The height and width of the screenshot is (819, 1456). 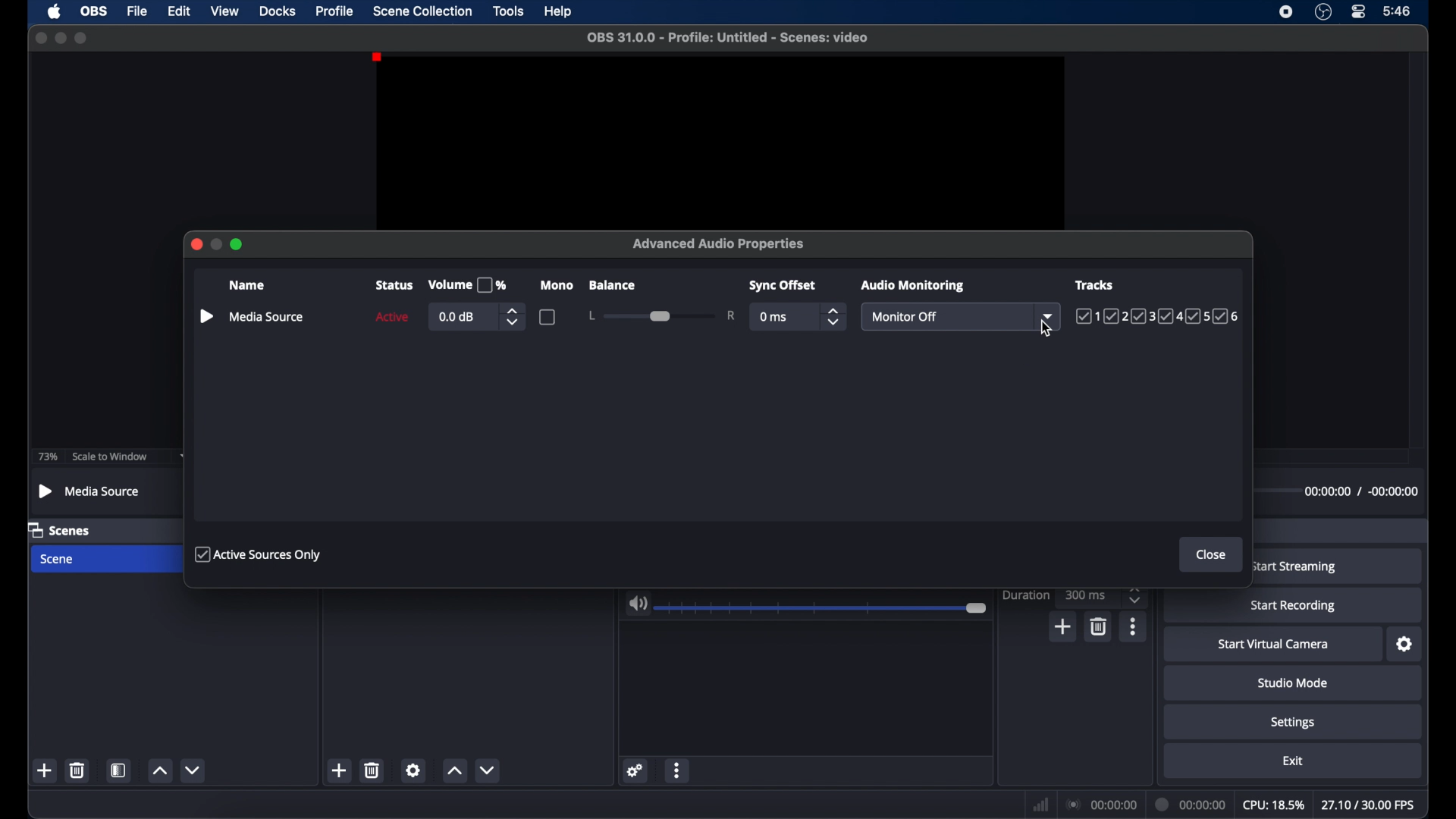 What do you see at coordinates (1096, 284) in the screenshot?
I see `tracks` at bounding box center [1096, 284].